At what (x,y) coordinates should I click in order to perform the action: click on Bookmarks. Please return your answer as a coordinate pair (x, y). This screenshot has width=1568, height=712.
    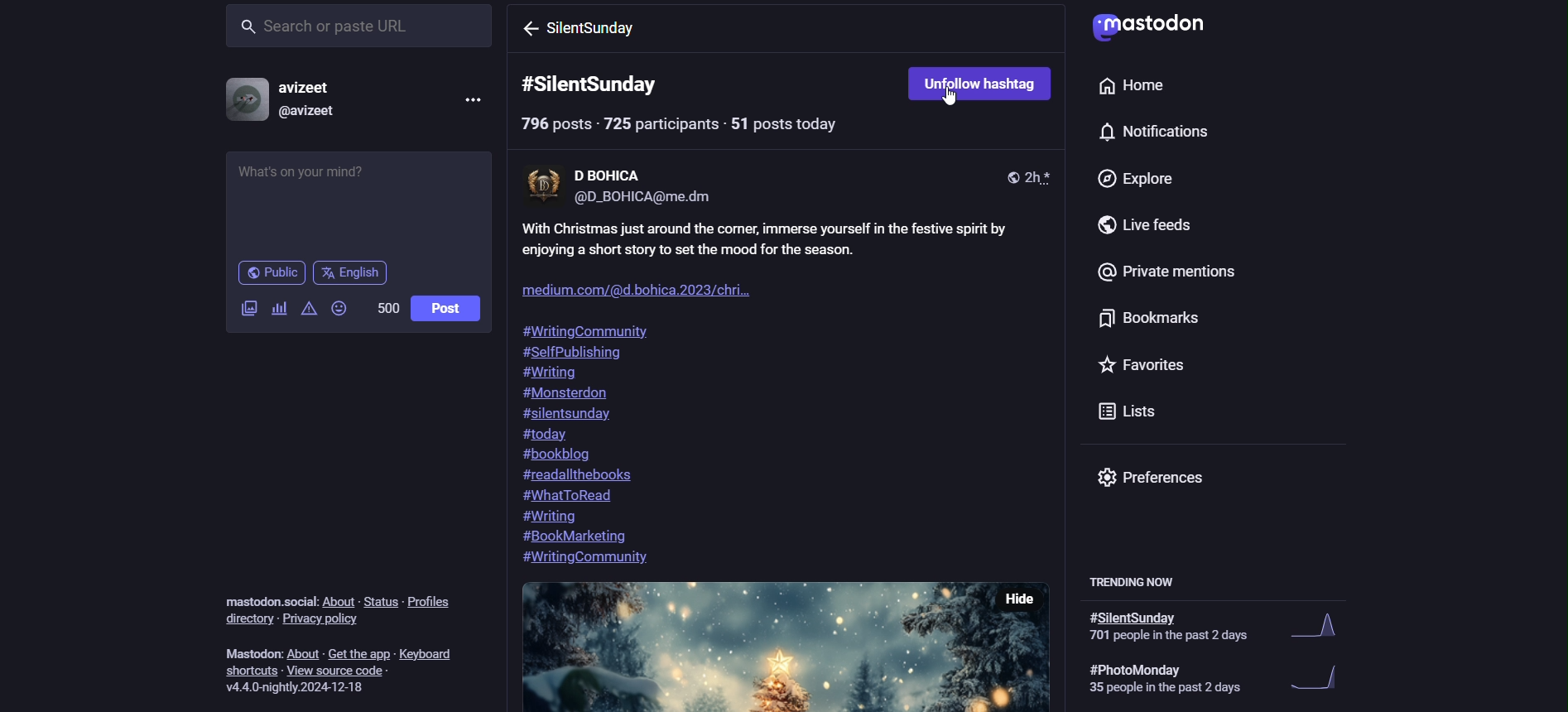
    Looking at the image, I should click on (1123, 320).